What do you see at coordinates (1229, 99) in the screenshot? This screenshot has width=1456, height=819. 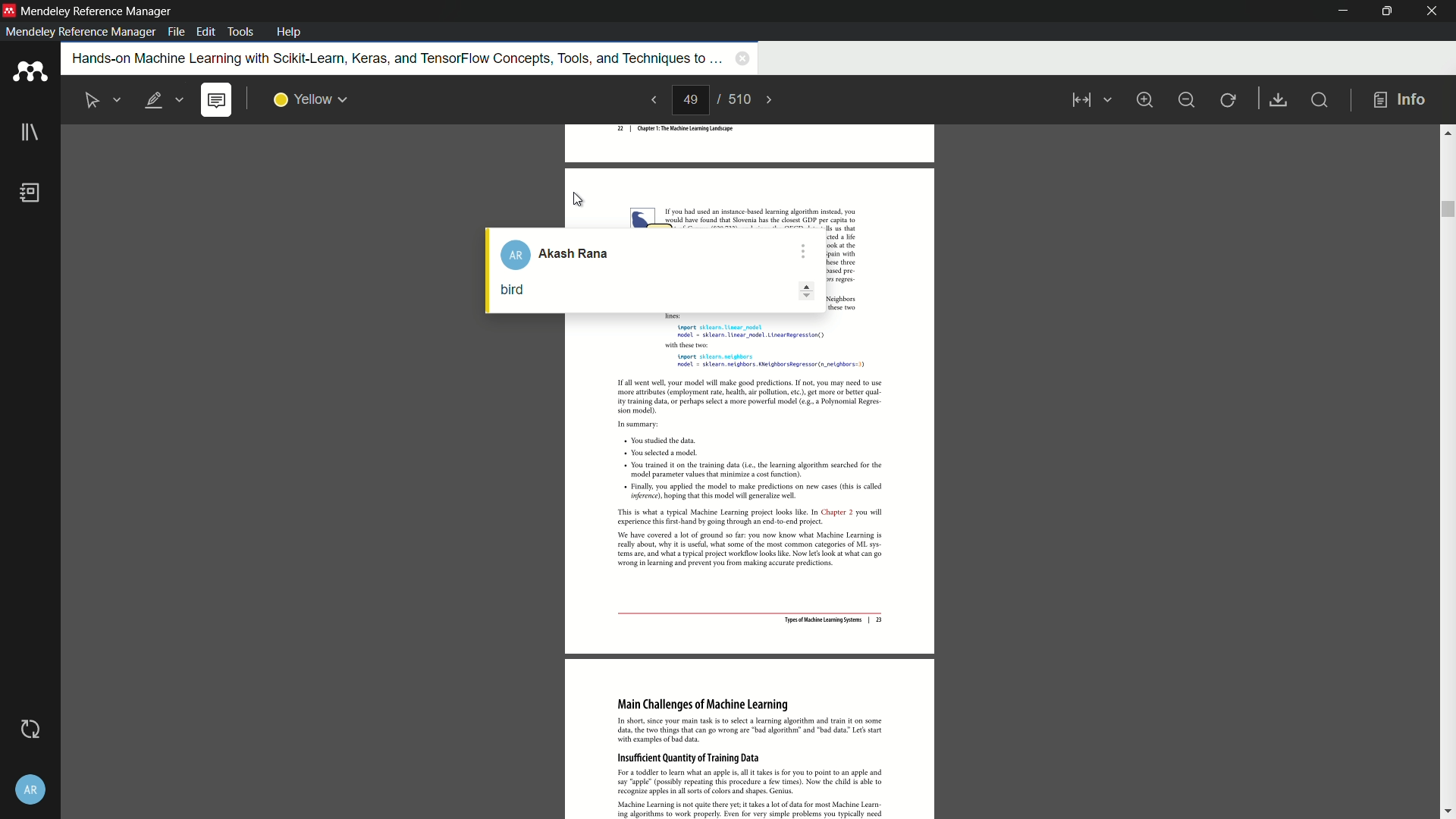 I see `refresh` at bounding box center [1229, 99].